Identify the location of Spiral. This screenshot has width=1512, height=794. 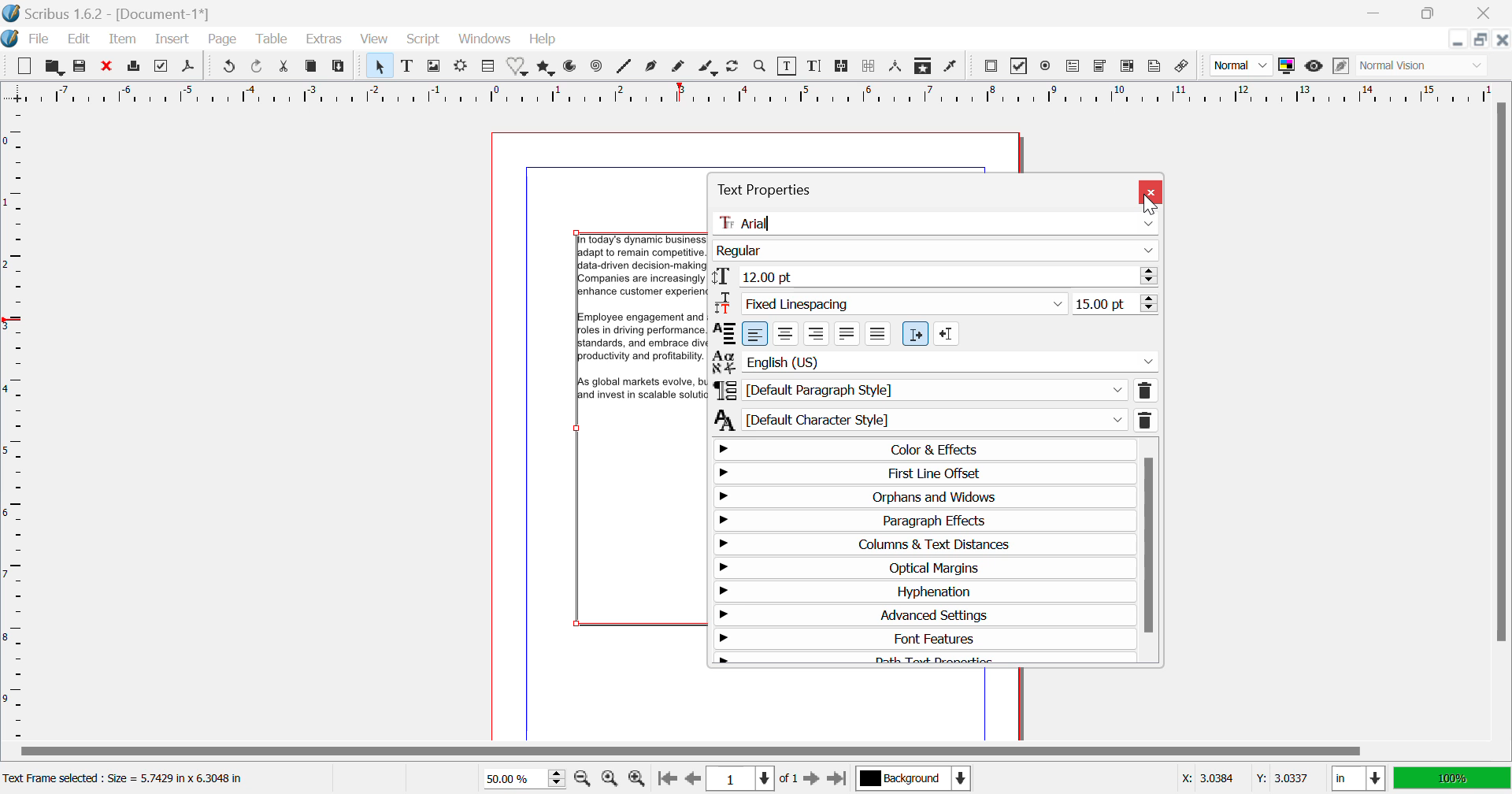
(624, 66).